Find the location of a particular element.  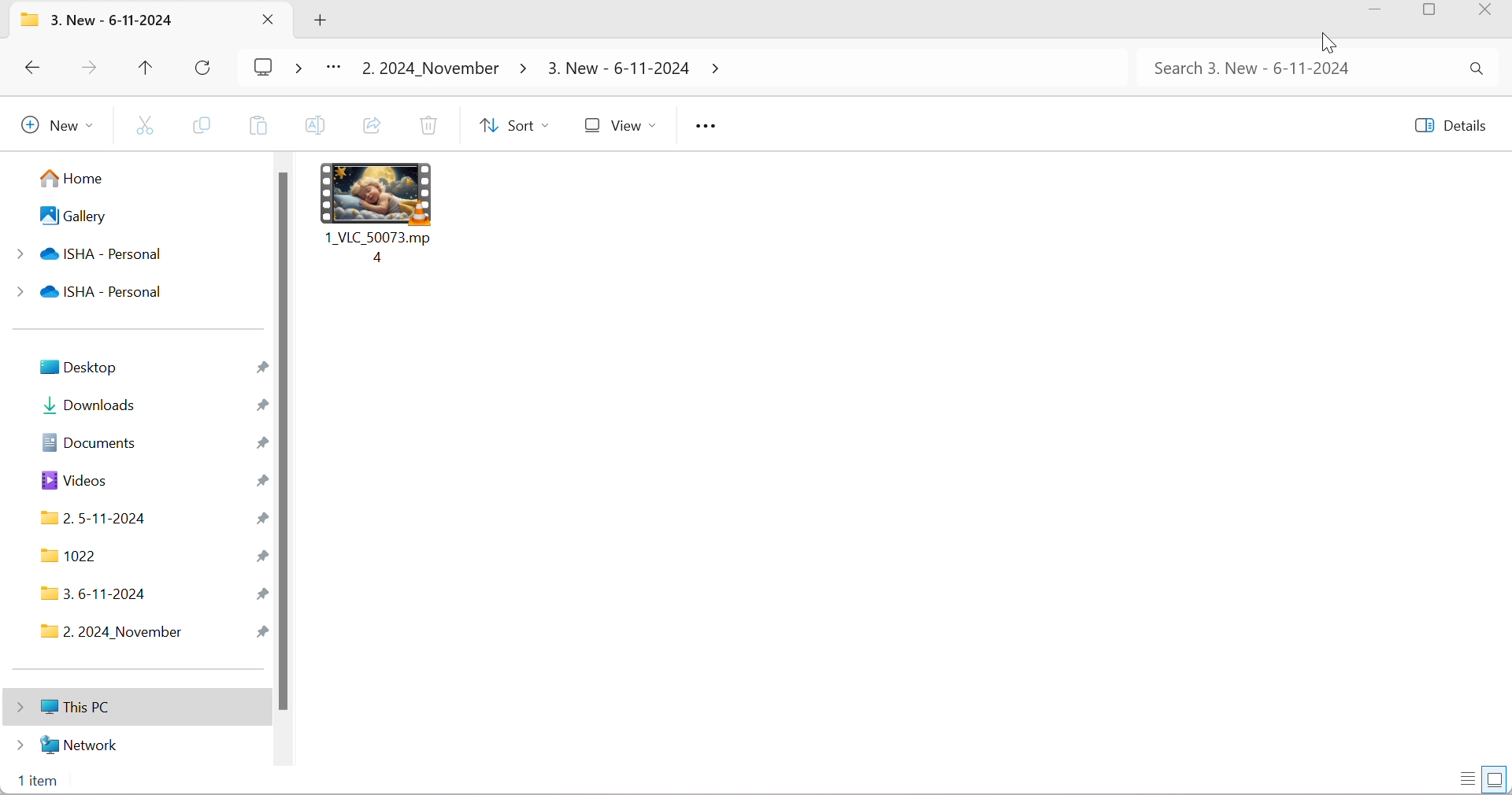

1022 is located at coordinates (69, 557).